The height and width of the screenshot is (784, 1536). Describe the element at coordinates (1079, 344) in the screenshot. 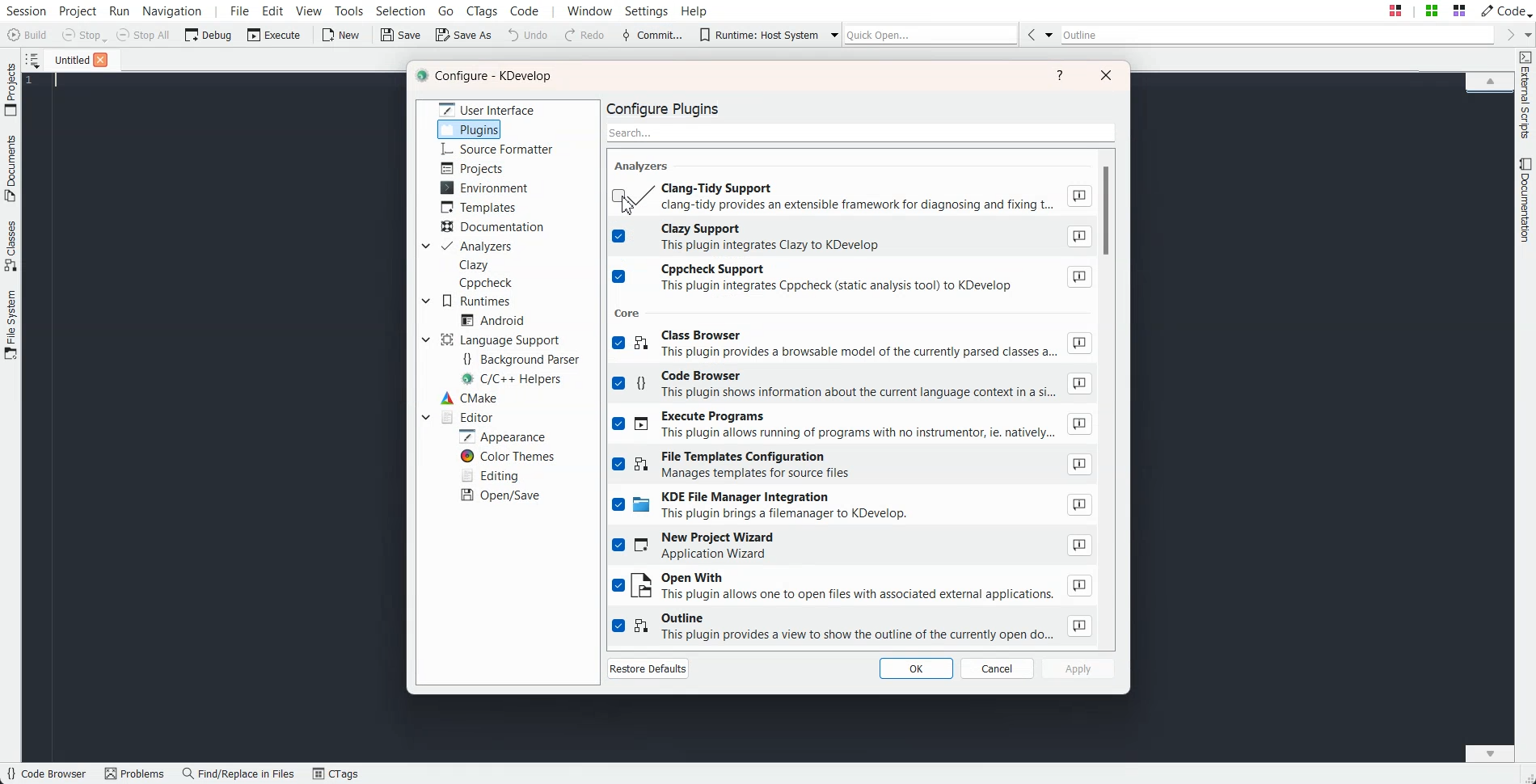

I see `About` at that location.